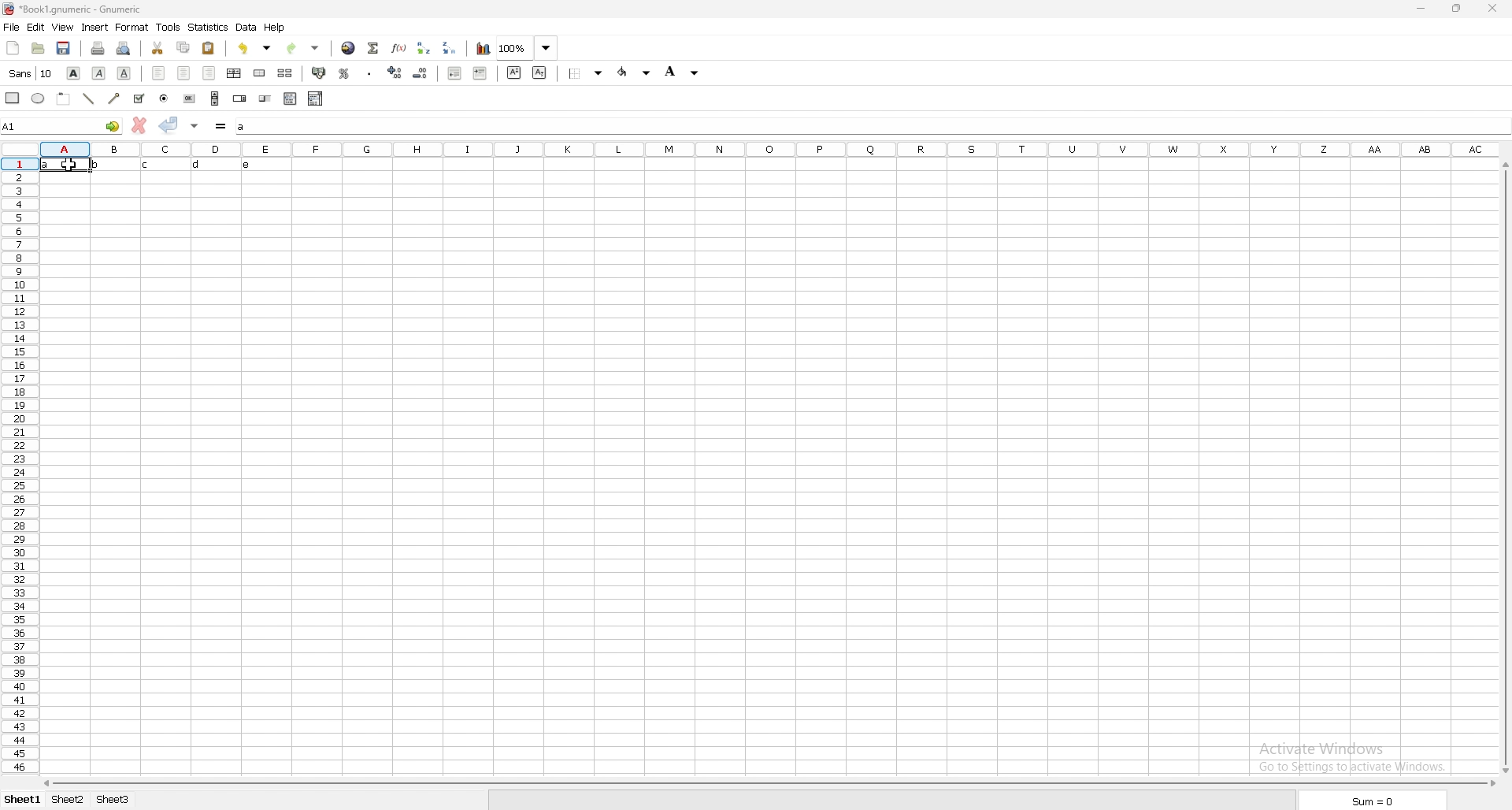  I want to click on format, so click(132, 27).